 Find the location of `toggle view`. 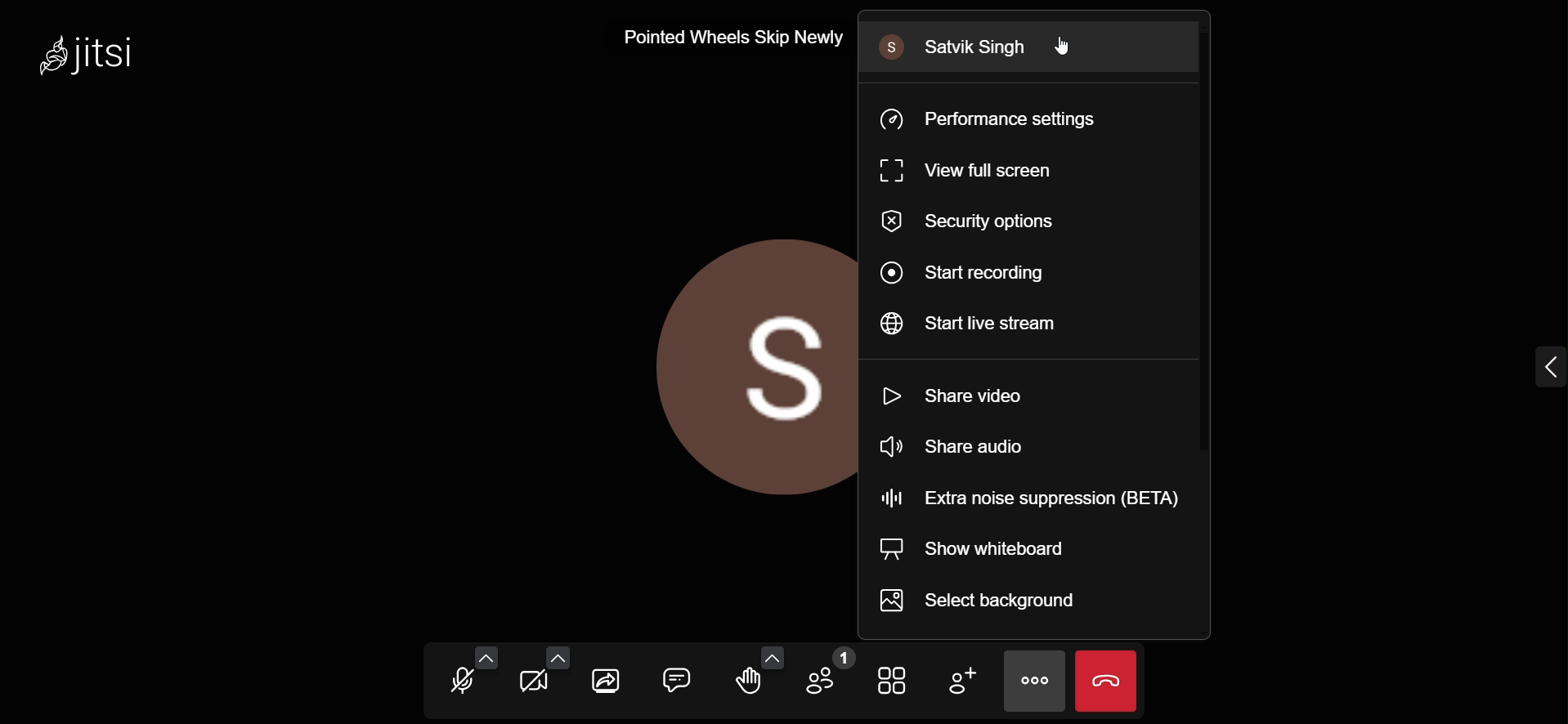

toggle view is located at coordinates (893, 682).